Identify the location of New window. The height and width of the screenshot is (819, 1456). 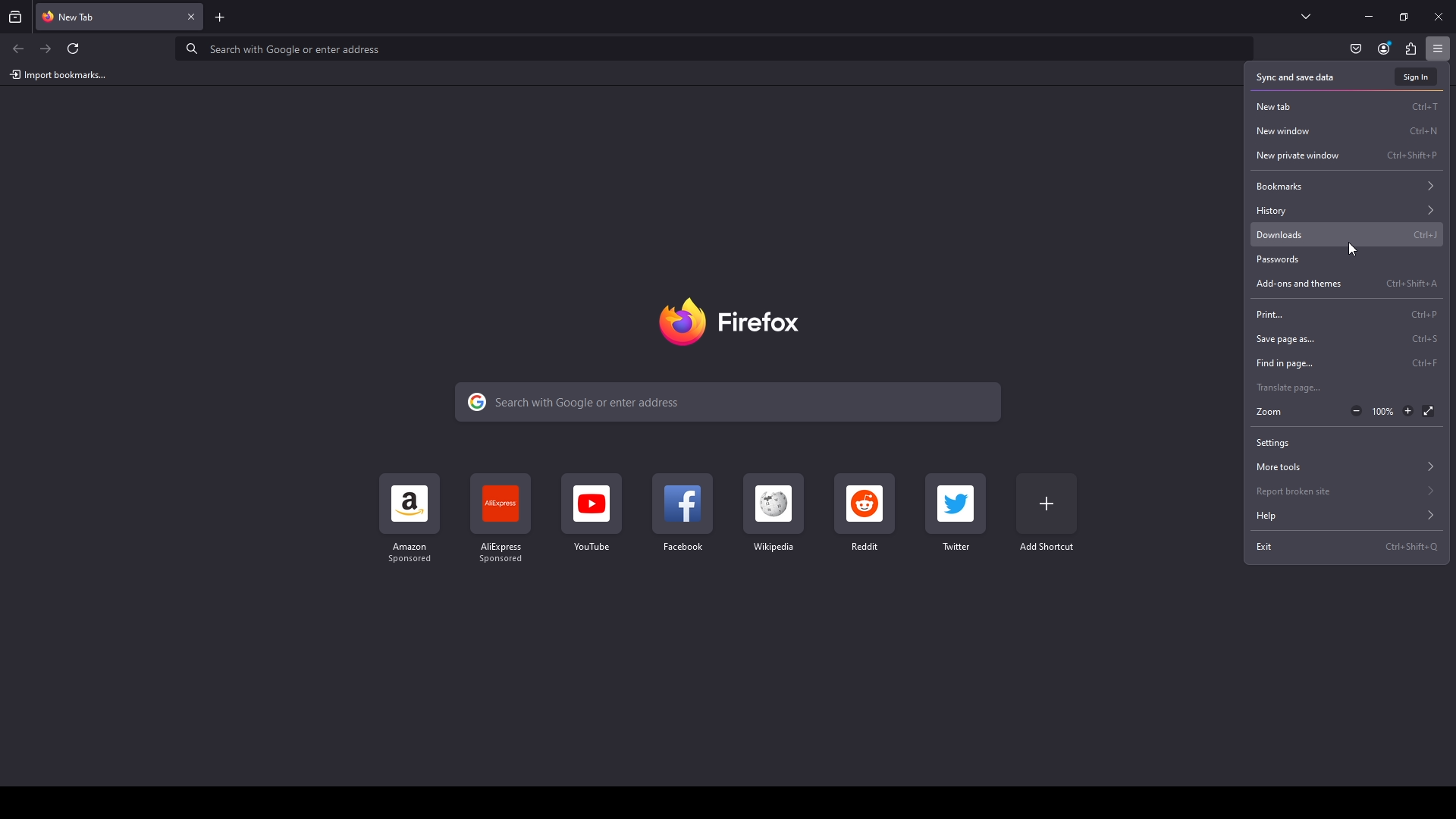
(1345, 132).